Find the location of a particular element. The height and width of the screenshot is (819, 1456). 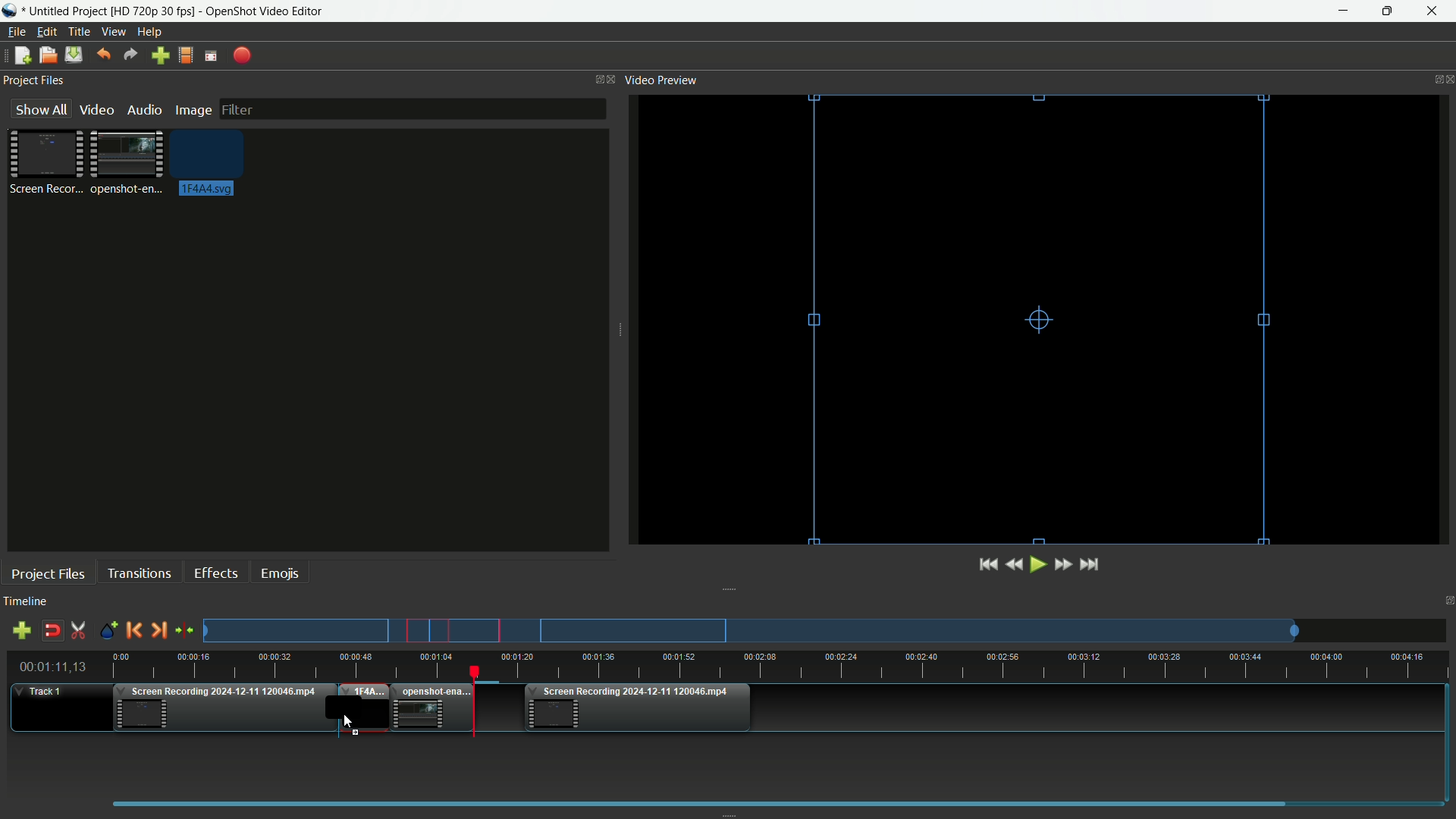

close video preview is located at coordinates (1447, 78).